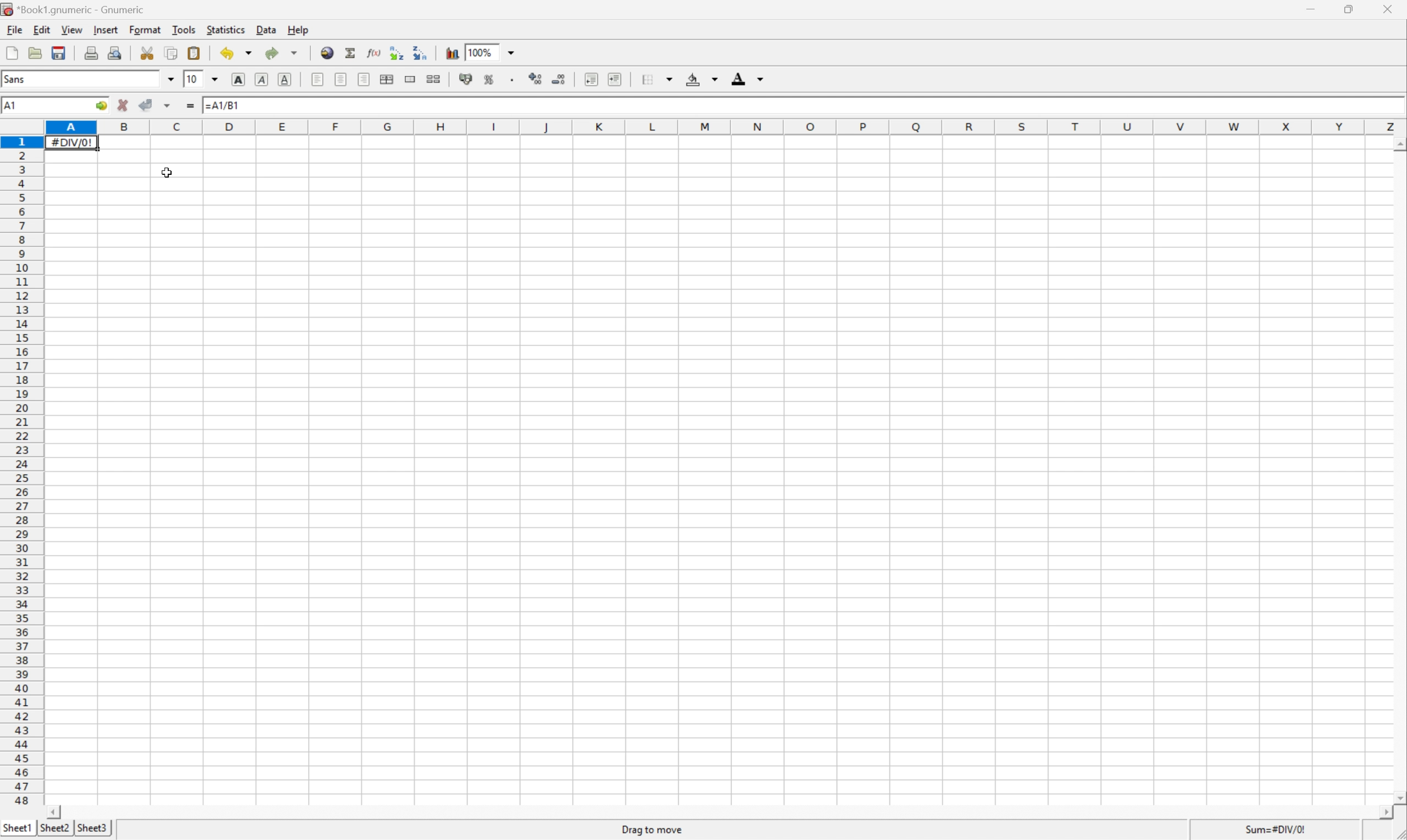 The image size is (1407, 840). Describe the element at coordinates (238, 79) in the screenshot. I see `Bold` at that location.